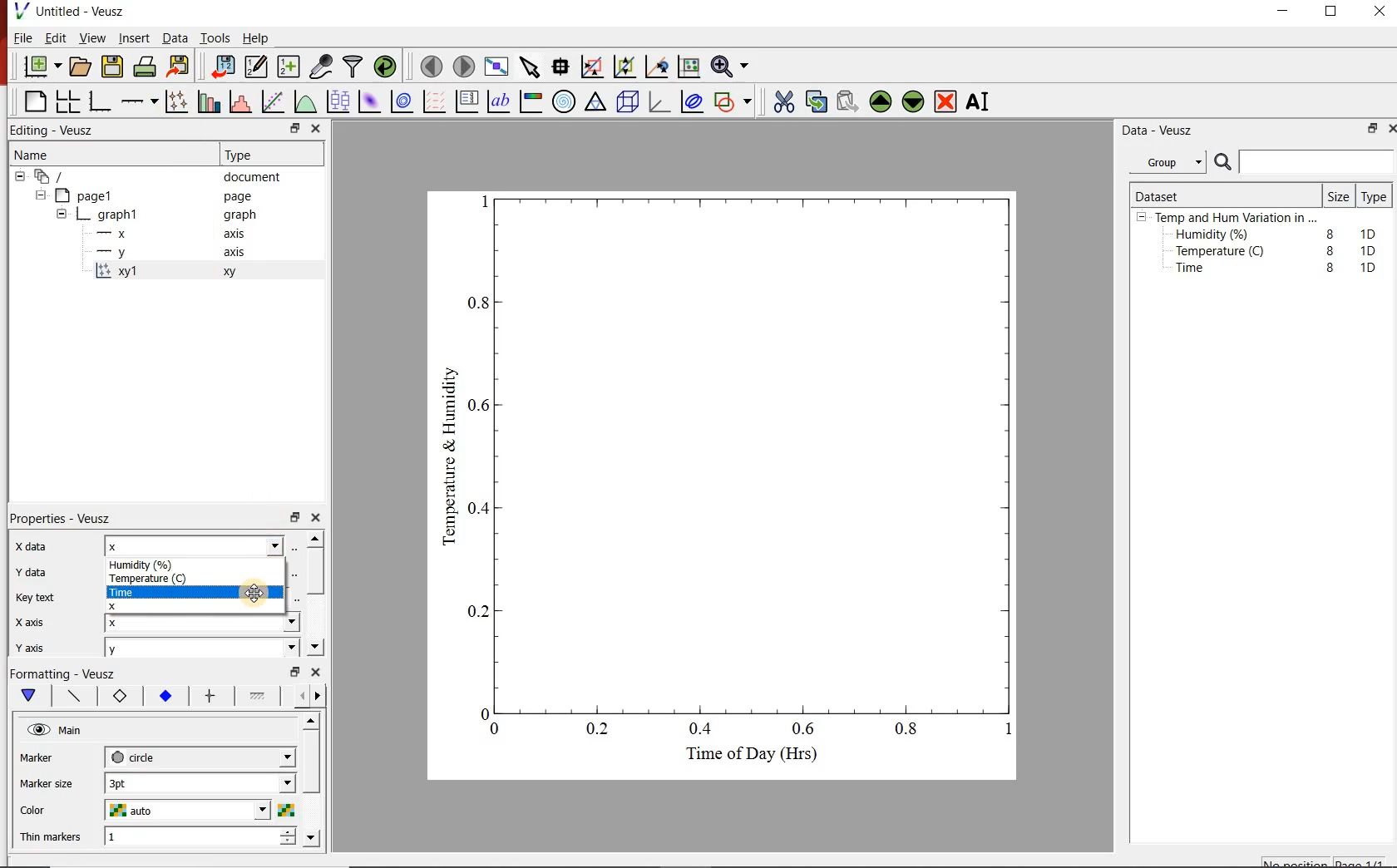 This screenshot has width=1397, height=868. What do you see at coordinates (947, 101) in the screenshot?
I see `Remove the selected widget` at bounding box center [947, 101].